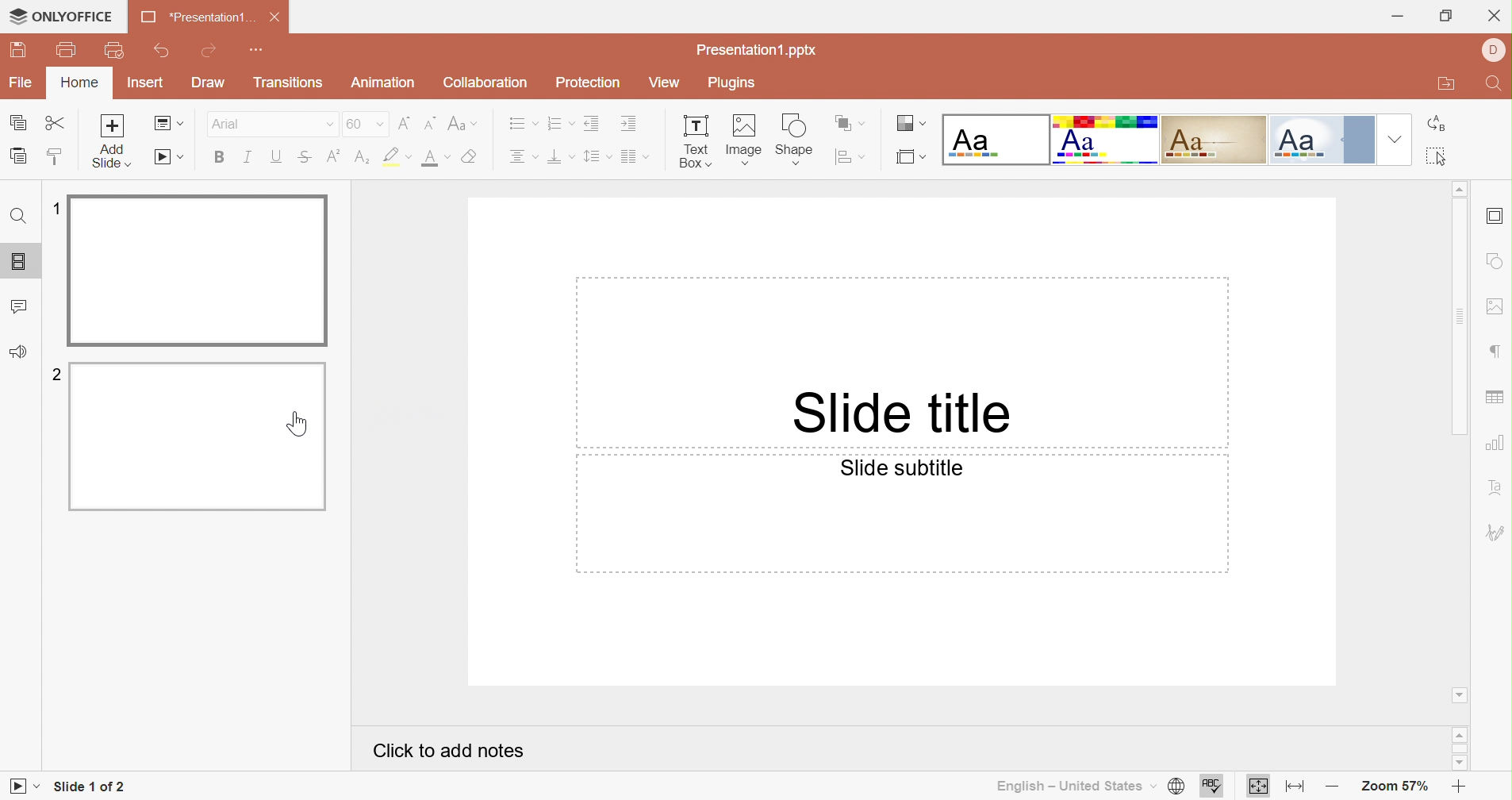  What do you see at coordinates (436, 157) in the screenshot?
I see `Font color` at bounding box center [436, 157].